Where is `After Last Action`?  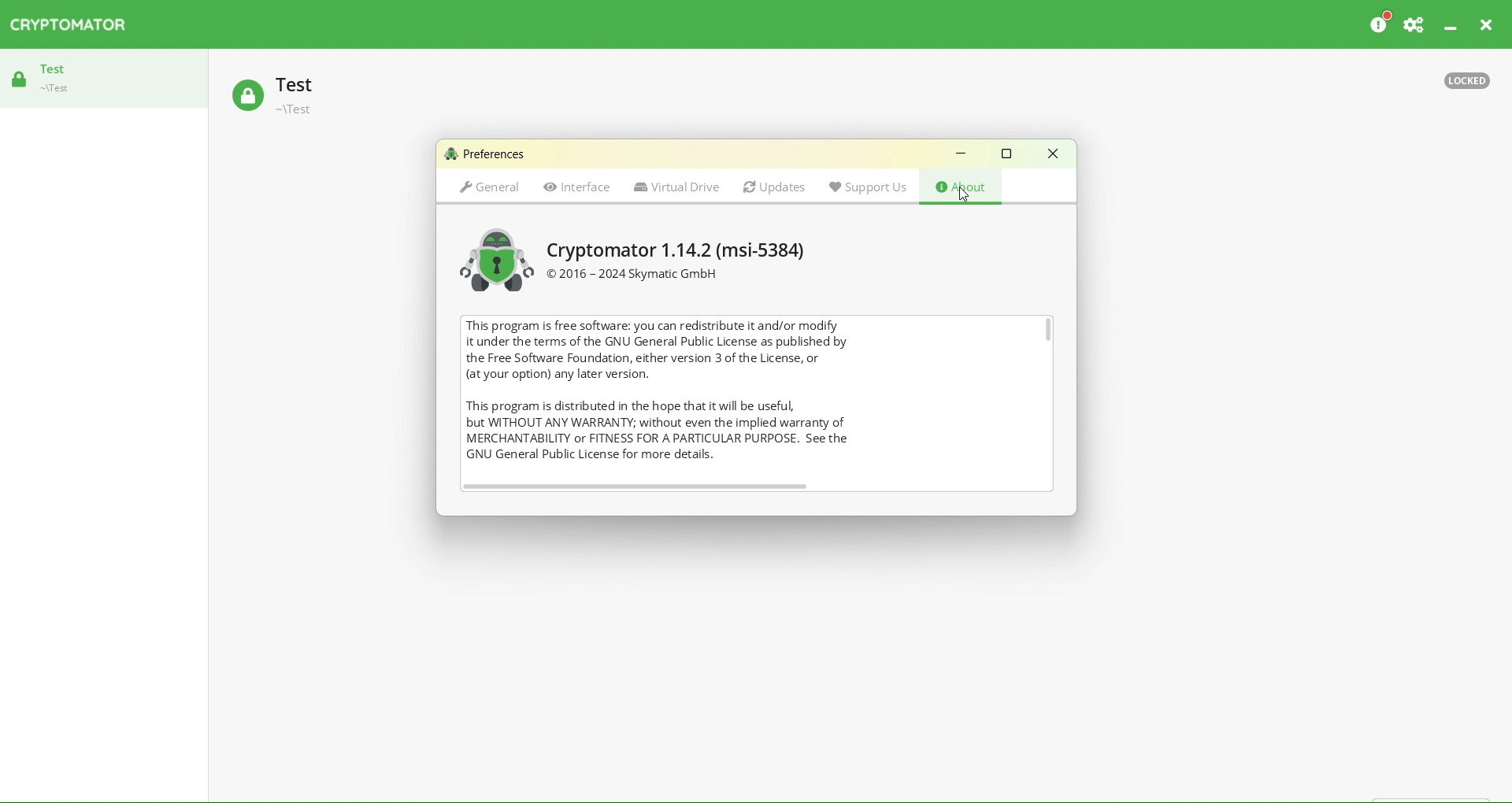
After Last Action is located at coordinates (758, 405).